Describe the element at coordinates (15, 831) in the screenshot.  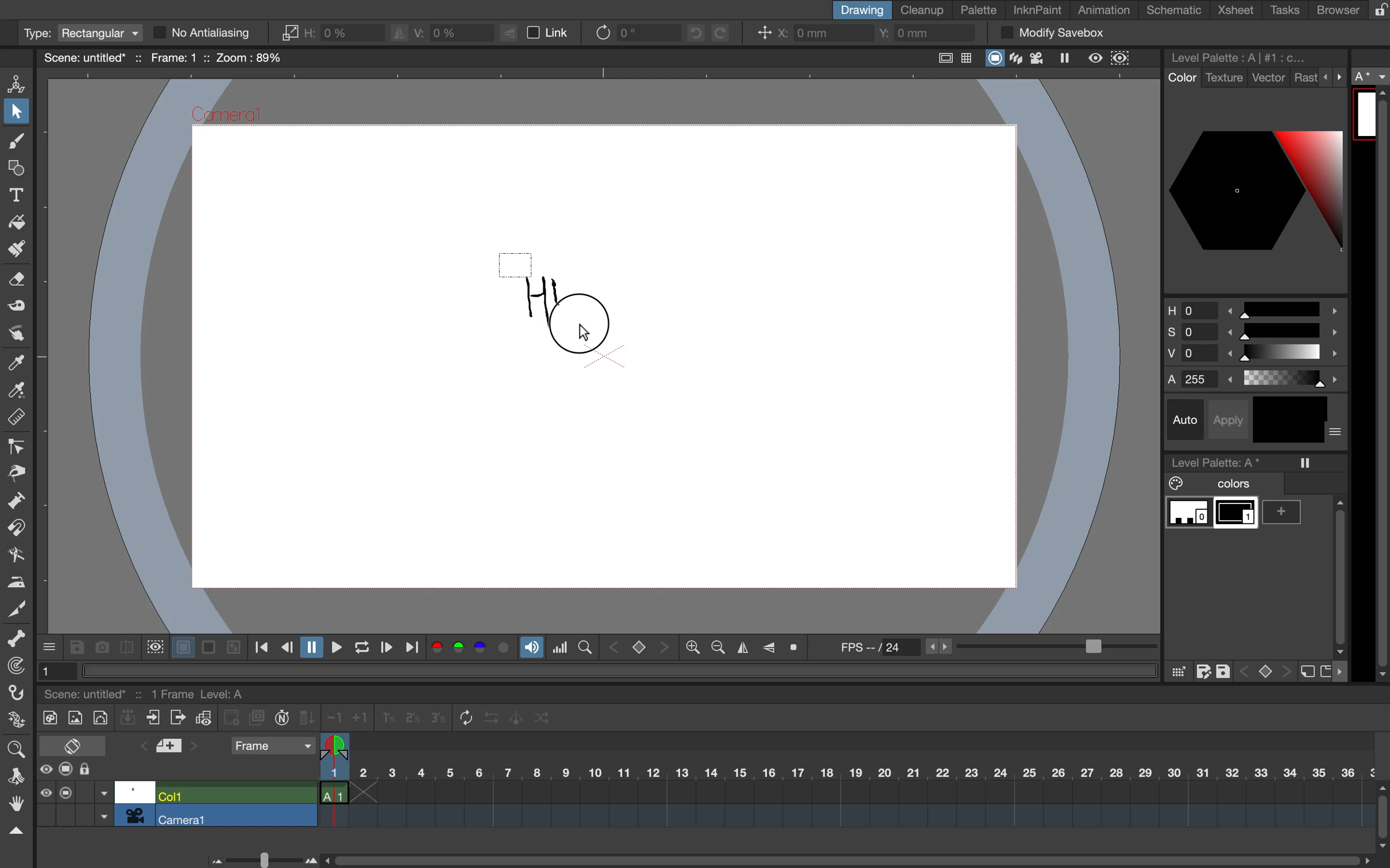
I see `collapse` at that location.